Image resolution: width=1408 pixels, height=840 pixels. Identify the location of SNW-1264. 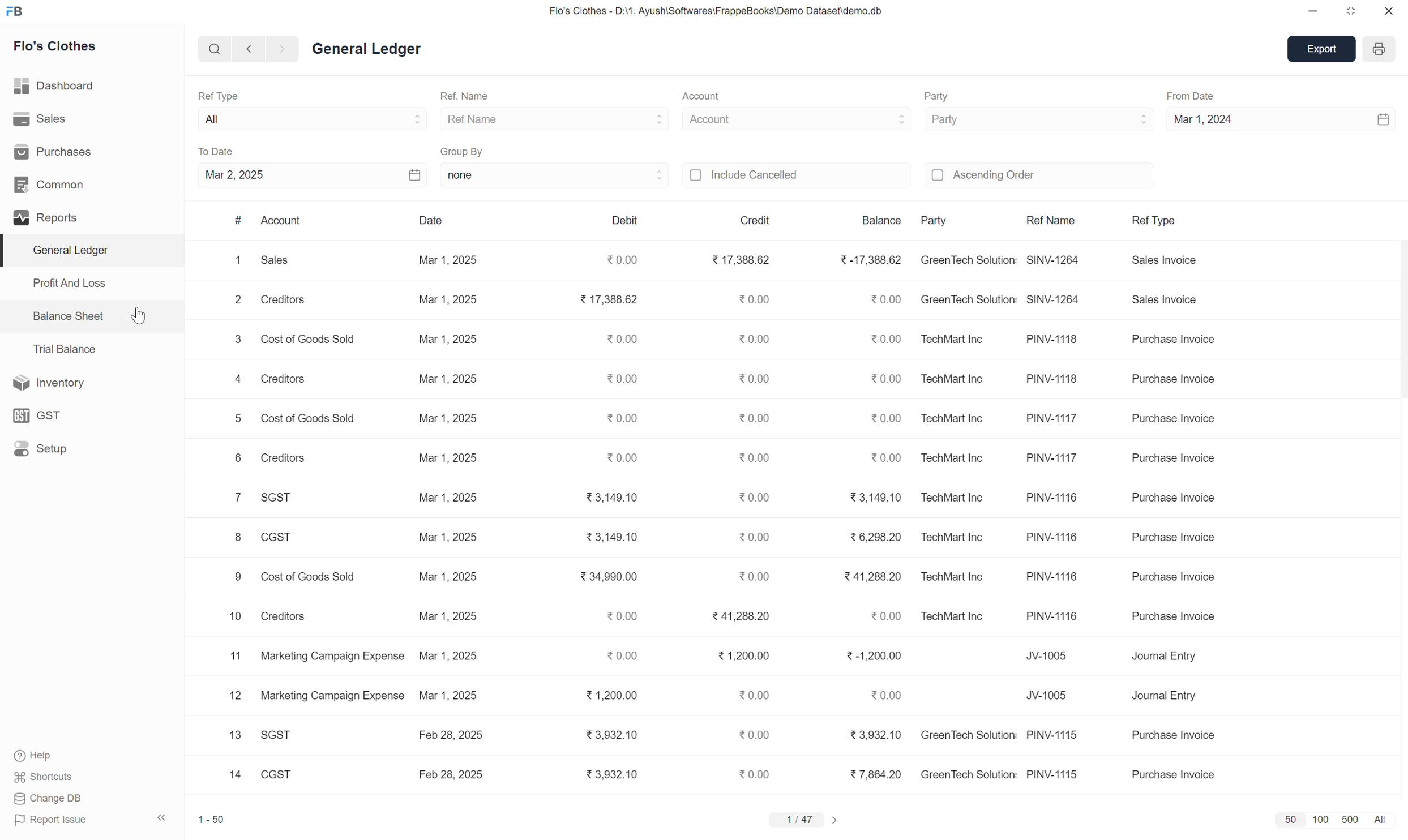
(1055, 258).